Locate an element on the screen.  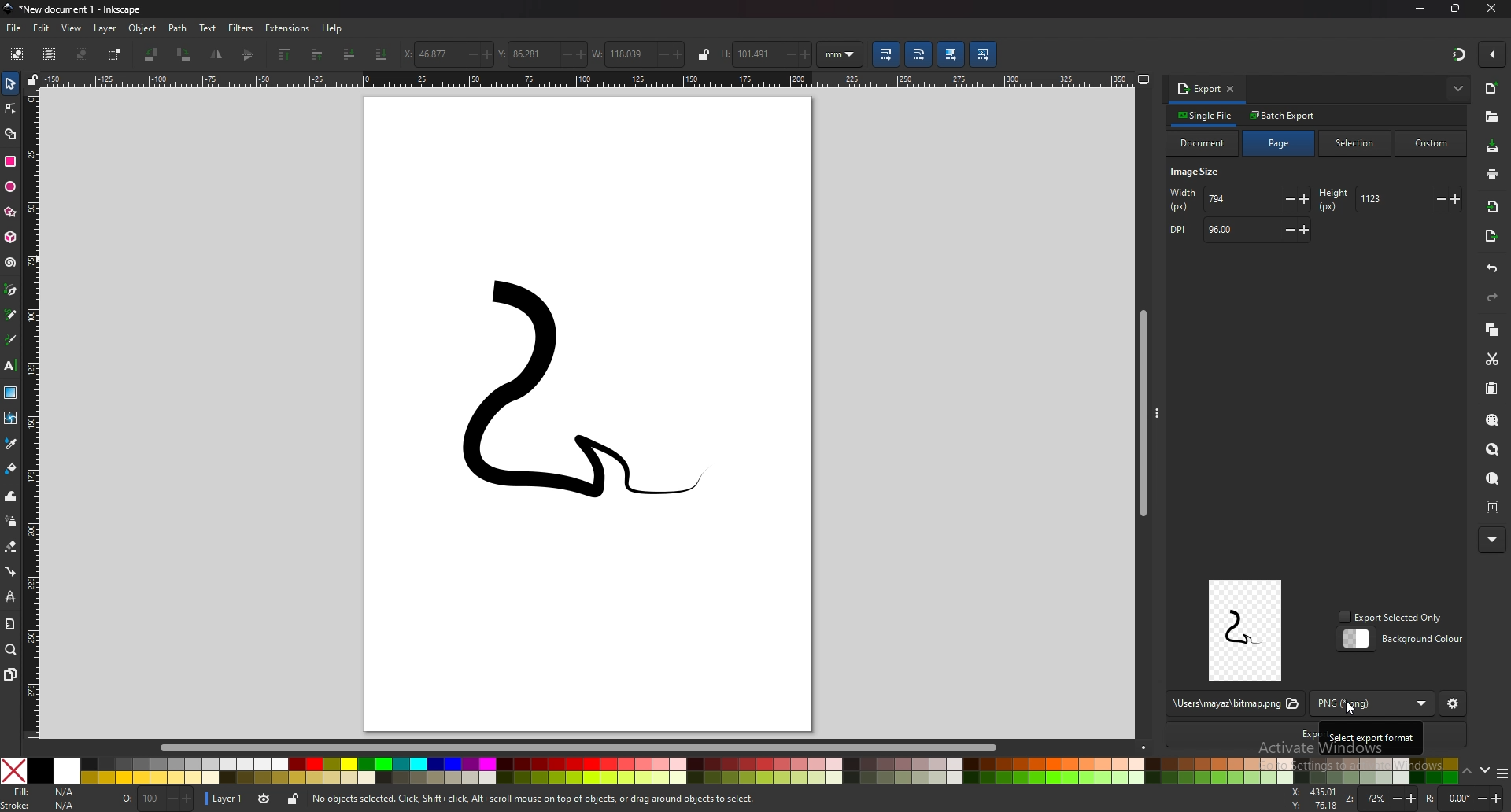
copy is located at coordinates (1493, 329).